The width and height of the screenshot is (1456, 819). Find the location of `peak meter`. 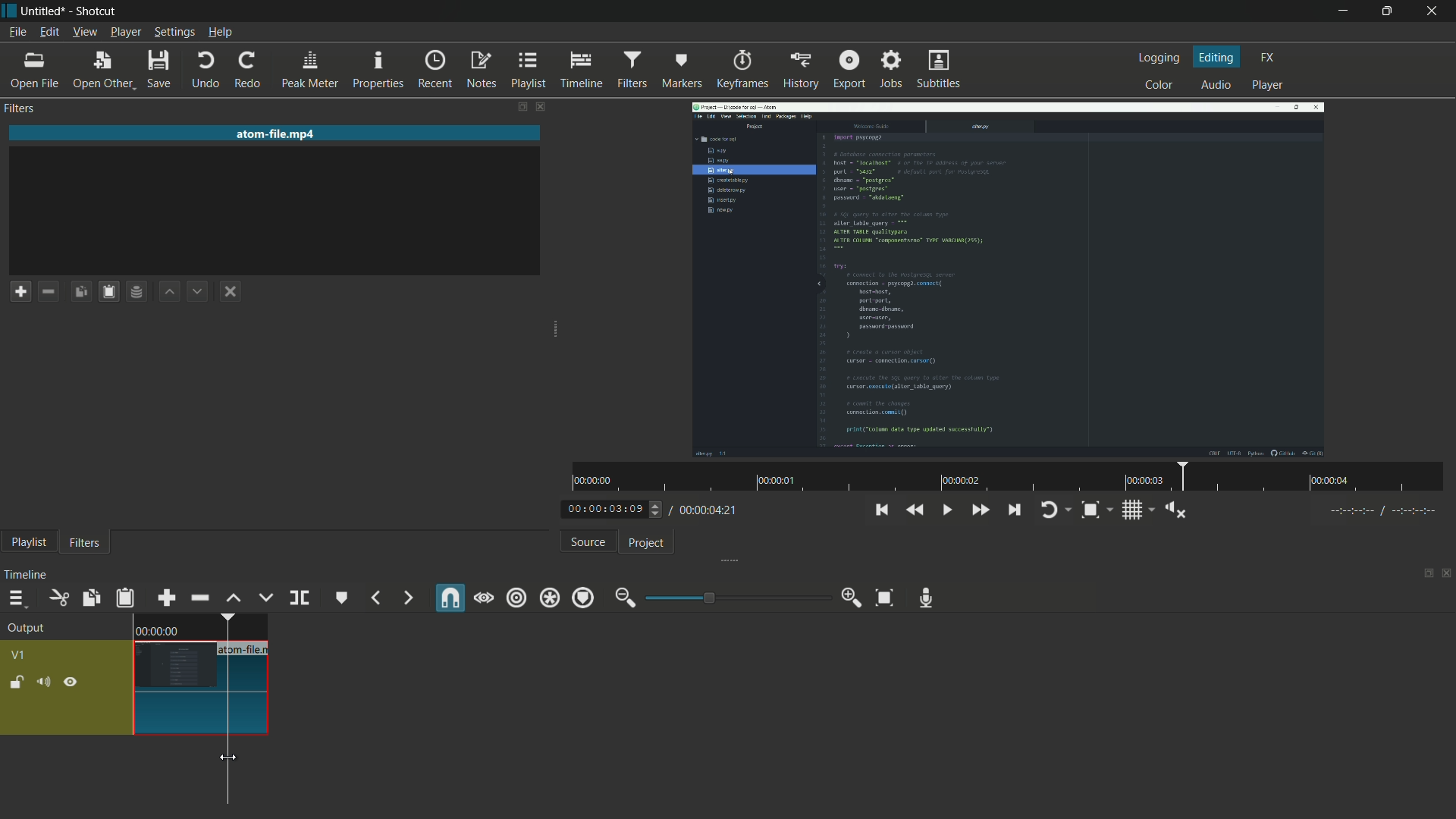

peak meter is located at coordinates (310, 71).